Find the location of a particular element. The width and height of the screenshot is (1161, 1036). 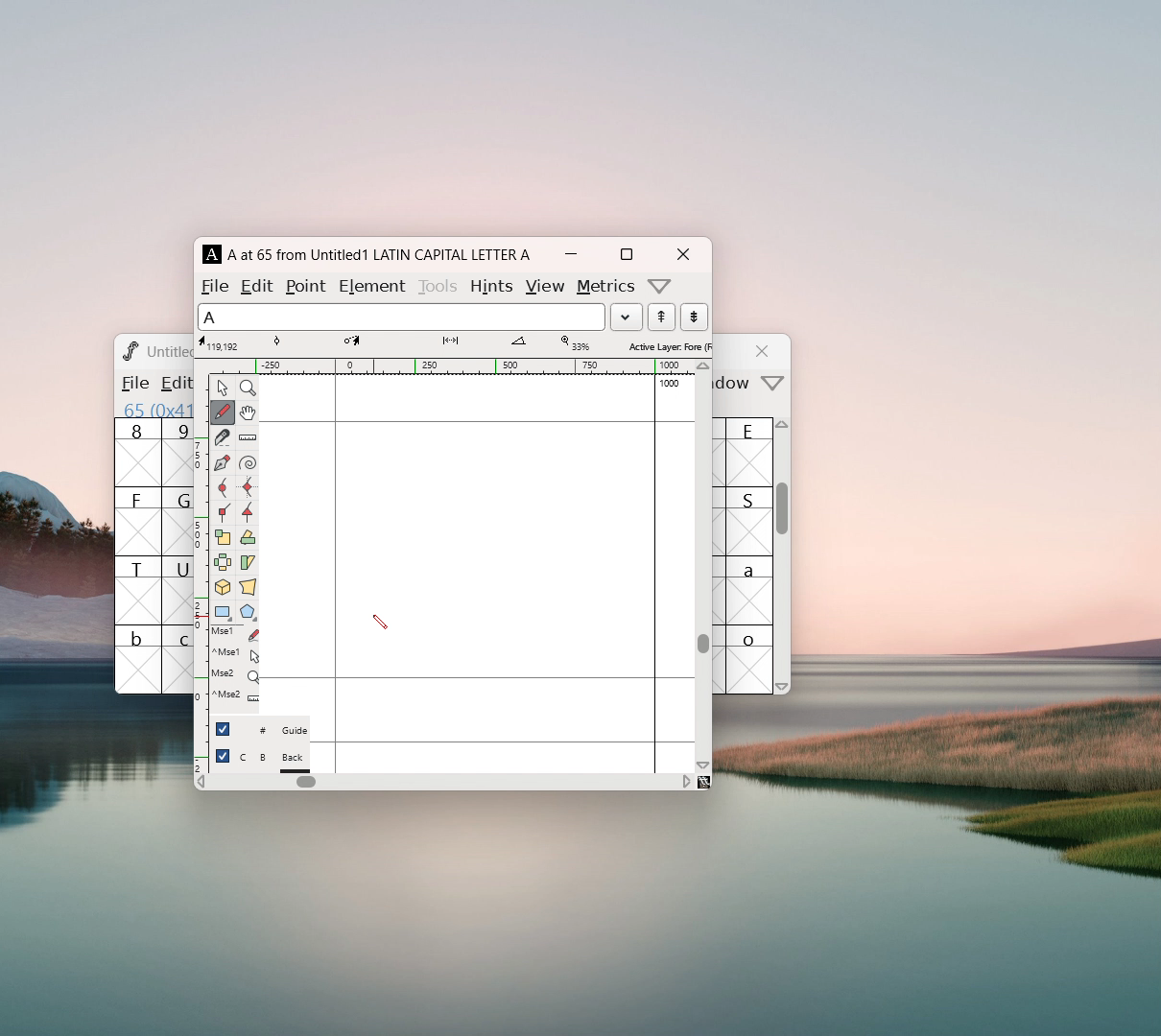

scroll right is located at coordinates (686, 781).